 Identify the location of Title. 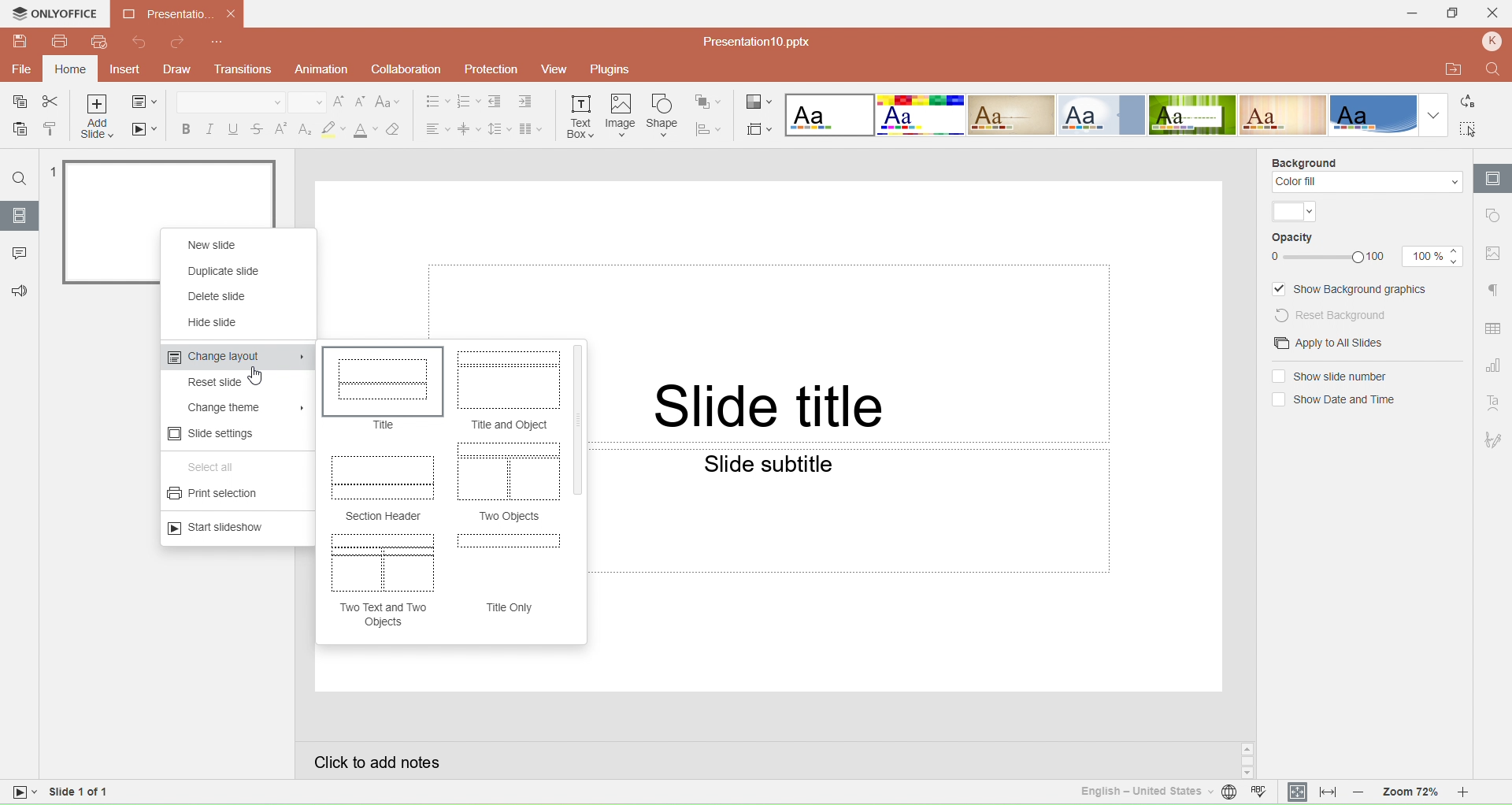
(385, 425).